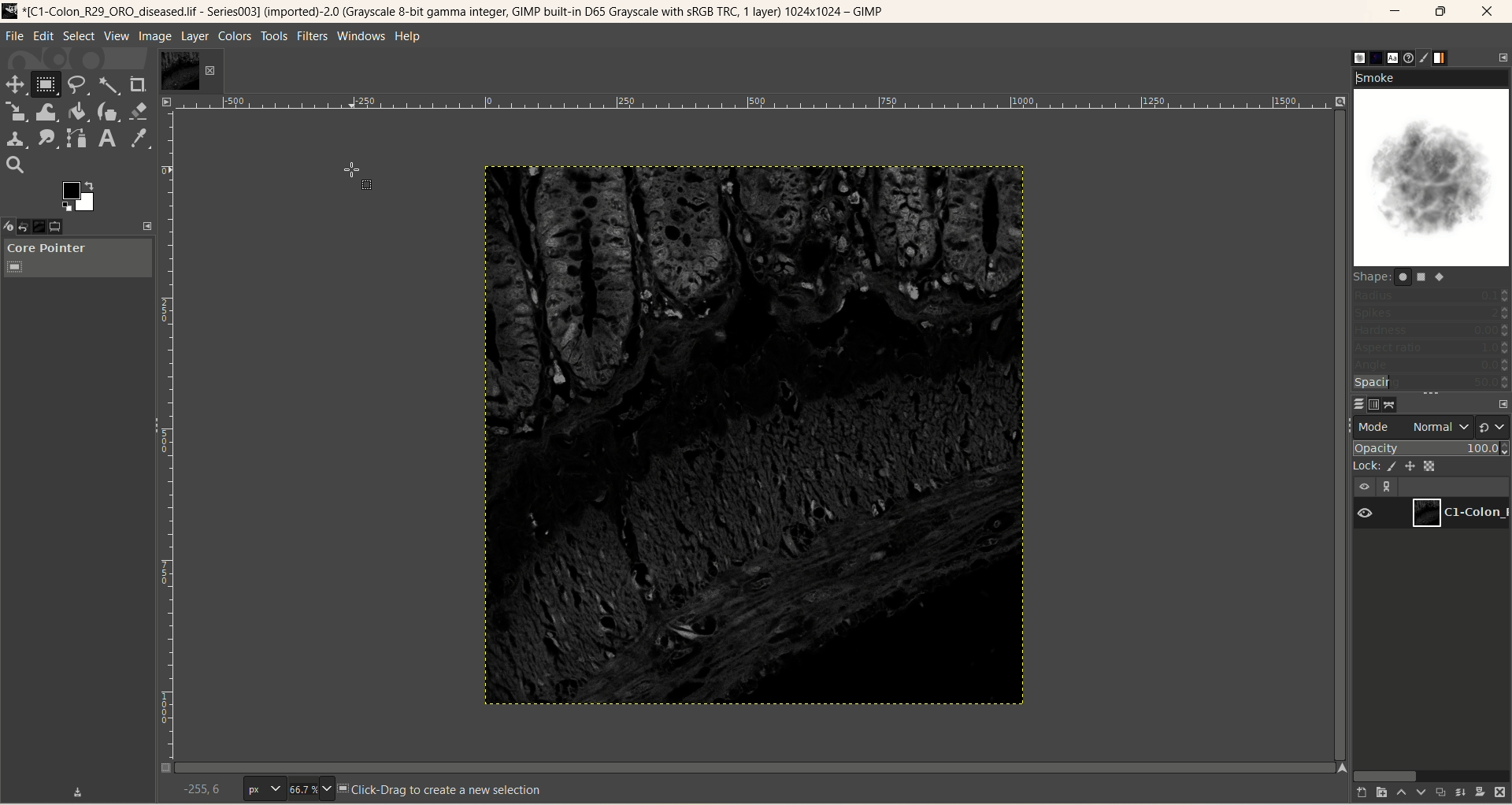  I want to click on delete this layer, so click(1499, 793).